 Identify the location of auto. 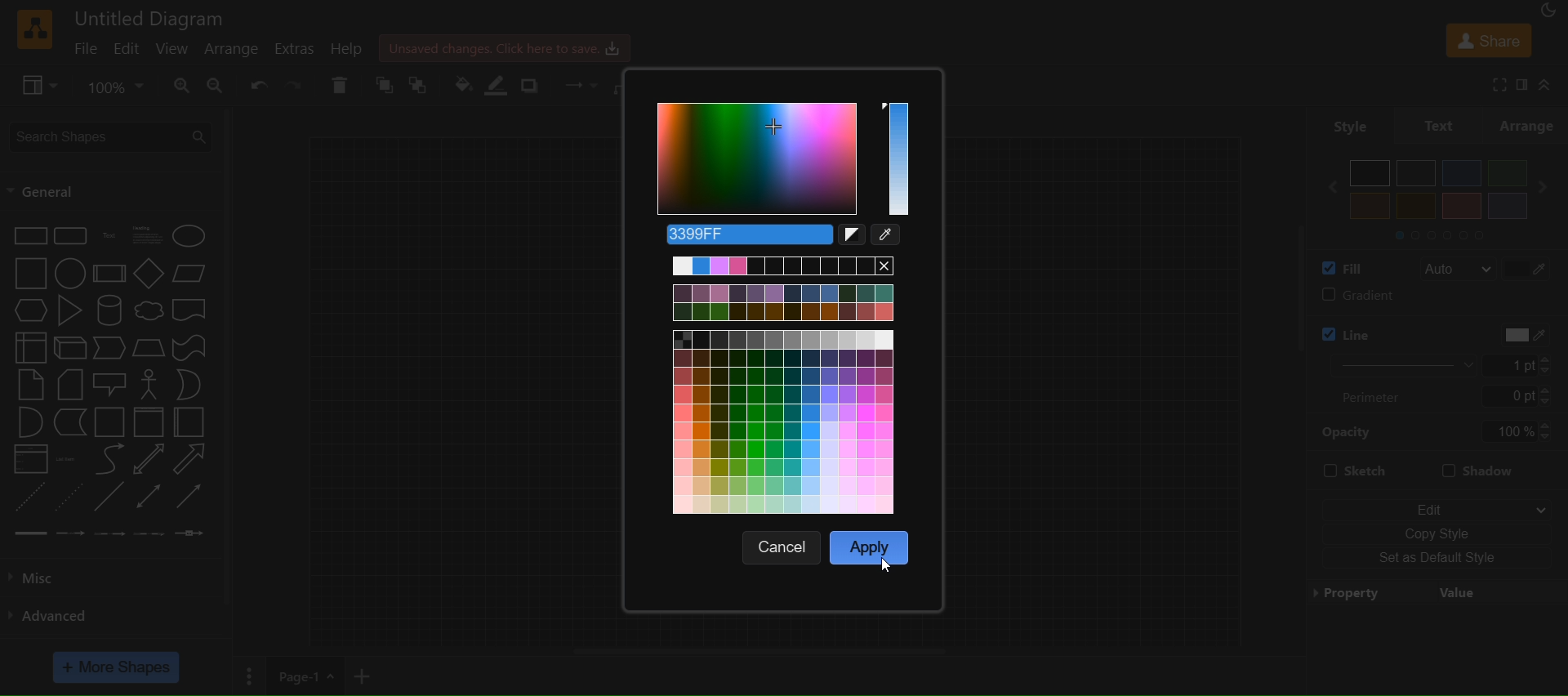
(1457, 270).